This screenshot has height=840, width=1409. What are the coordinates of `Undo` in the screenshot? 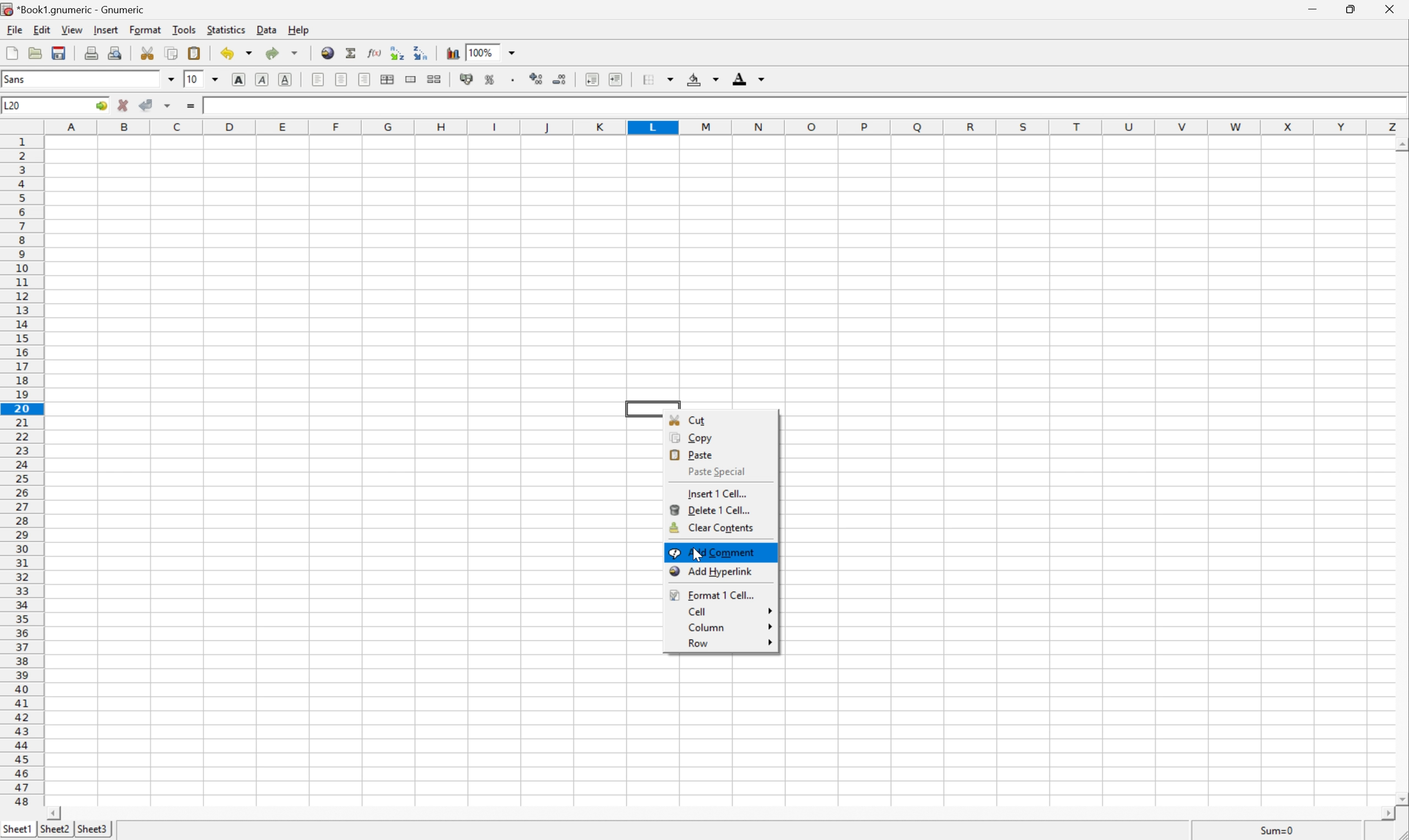 It's located at (234, 53).